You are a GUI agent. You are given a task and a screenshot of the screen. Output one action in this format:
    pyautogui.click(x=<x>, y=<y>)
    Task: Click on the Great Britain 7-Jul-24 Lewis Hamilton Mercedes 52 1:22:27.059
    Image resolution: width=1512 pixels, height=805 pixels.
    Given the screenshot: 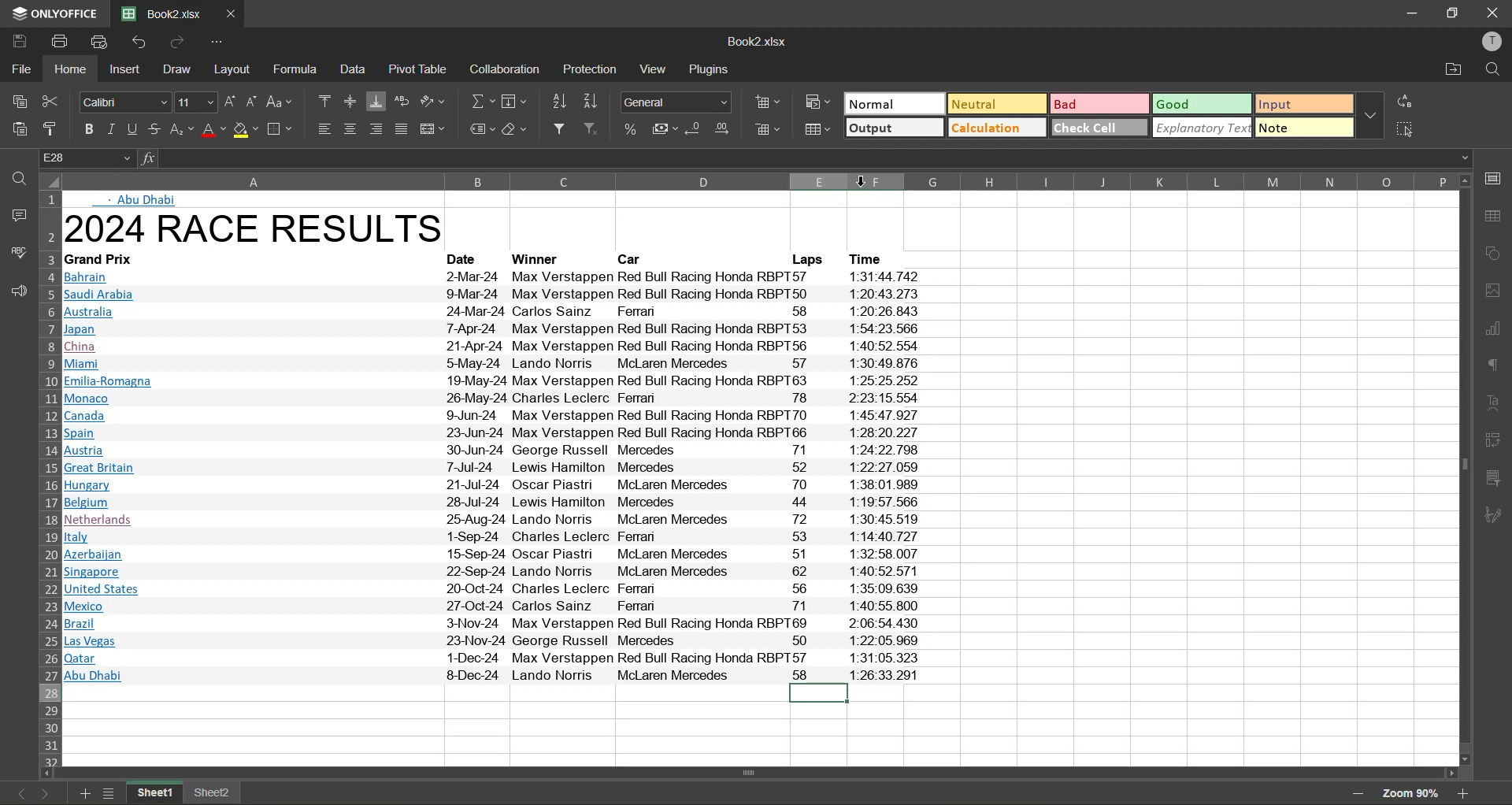 What is the action you would take?
    pyautogui.click(x=495, y=469)
    